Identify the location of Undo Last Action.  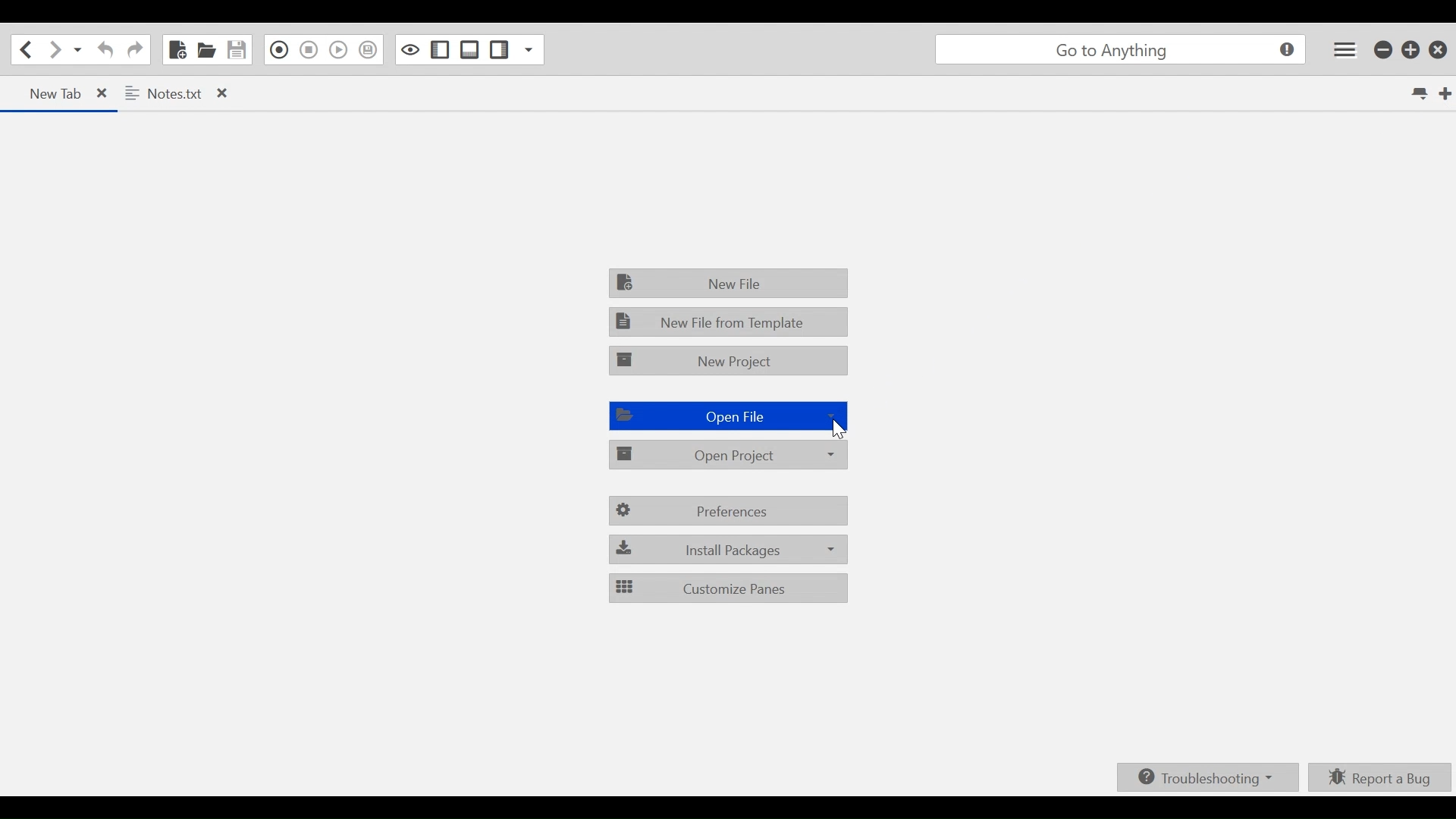
(103, 50).